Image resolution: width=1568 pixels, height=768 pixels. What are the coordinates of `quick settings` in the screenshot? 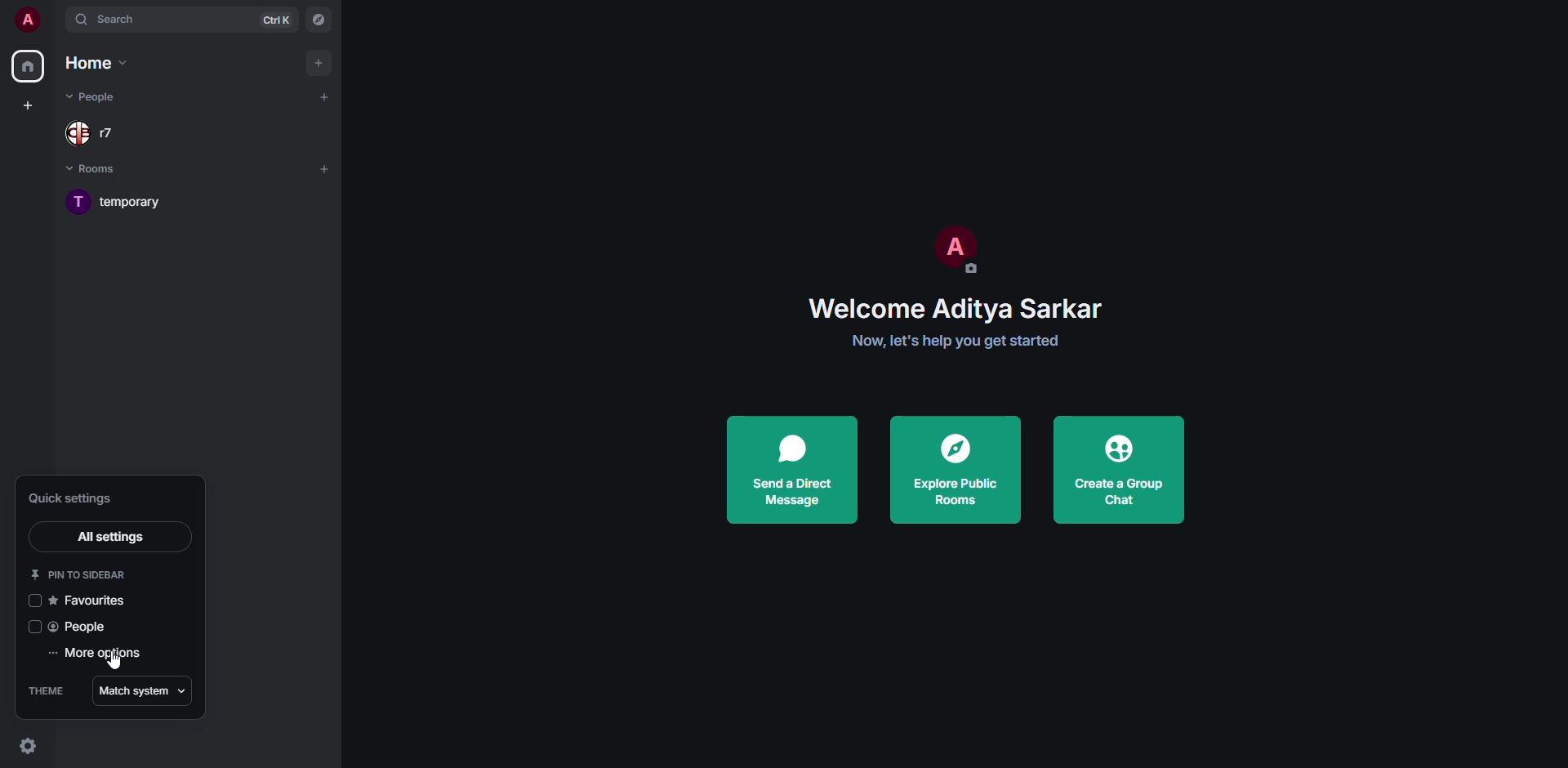 It's located at (30, 746).